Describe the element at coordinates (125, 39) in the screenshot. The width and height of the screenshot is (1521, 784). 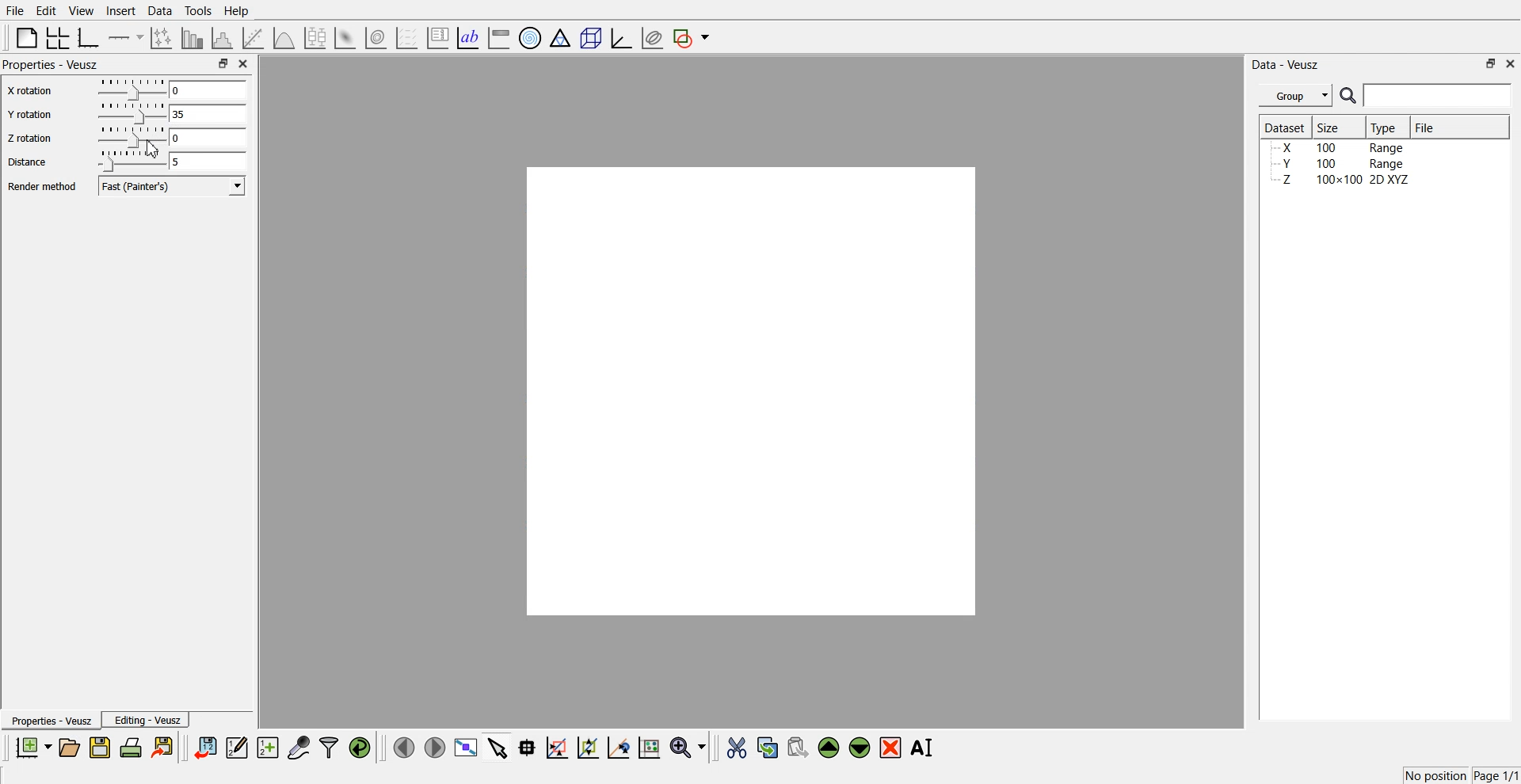
I see `Add axis to the pane` at that location.